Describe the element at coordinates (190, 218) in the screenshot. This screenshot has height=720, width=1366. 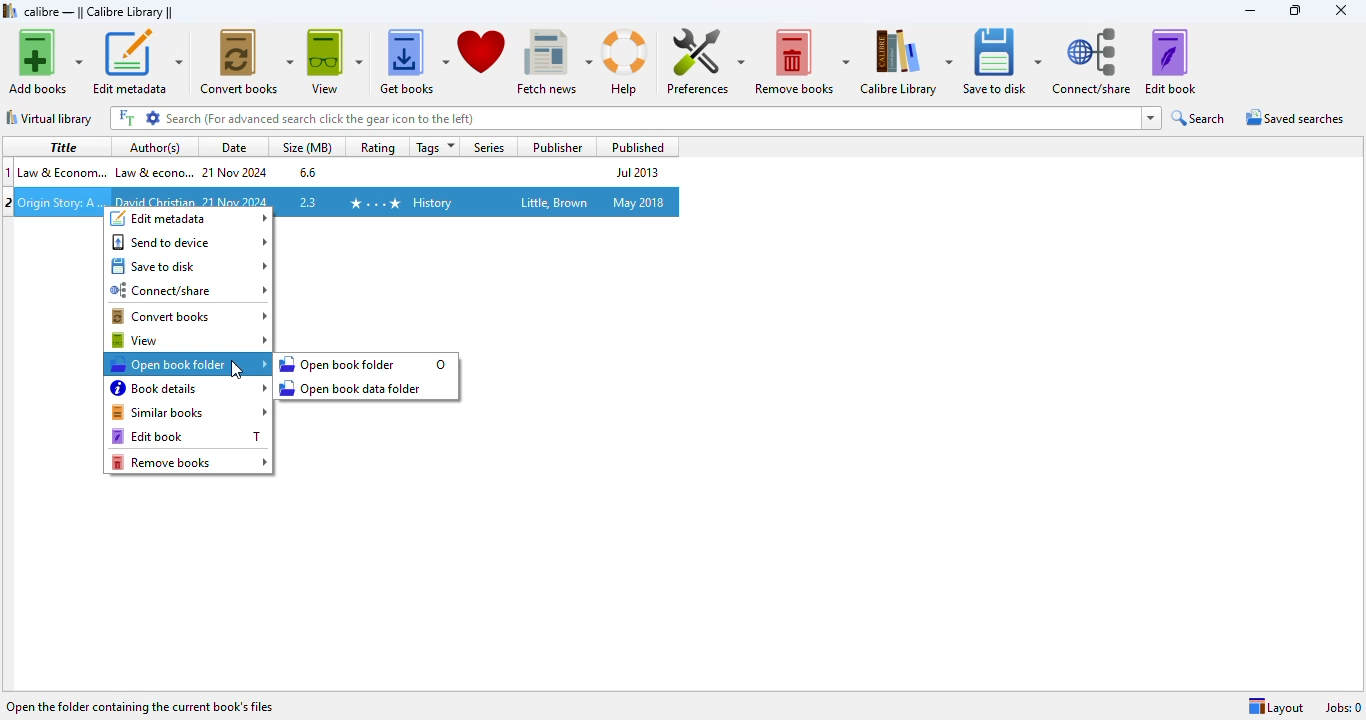
I see `edit metadata` at that location.